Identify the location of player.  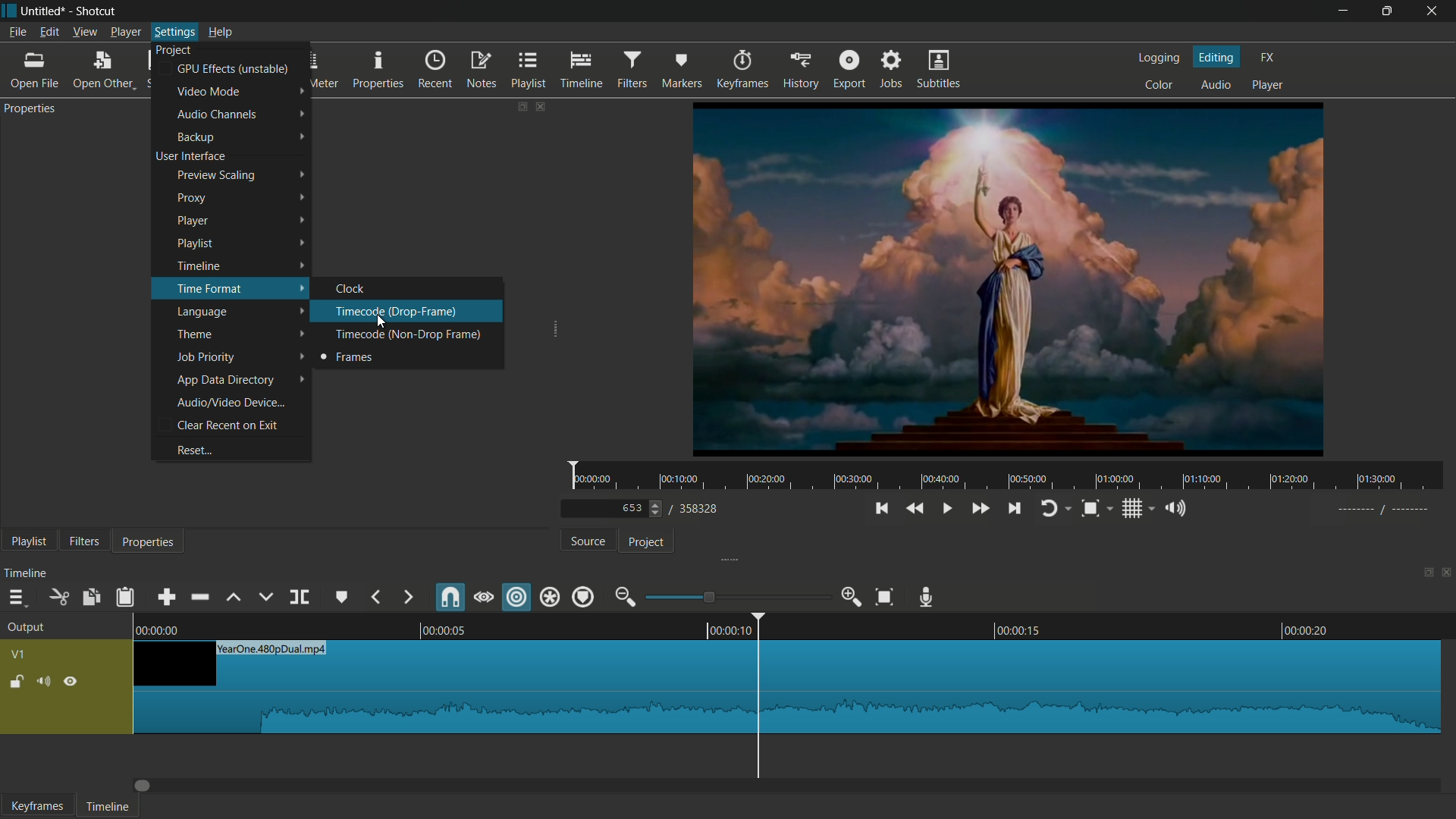
(1267, 85).